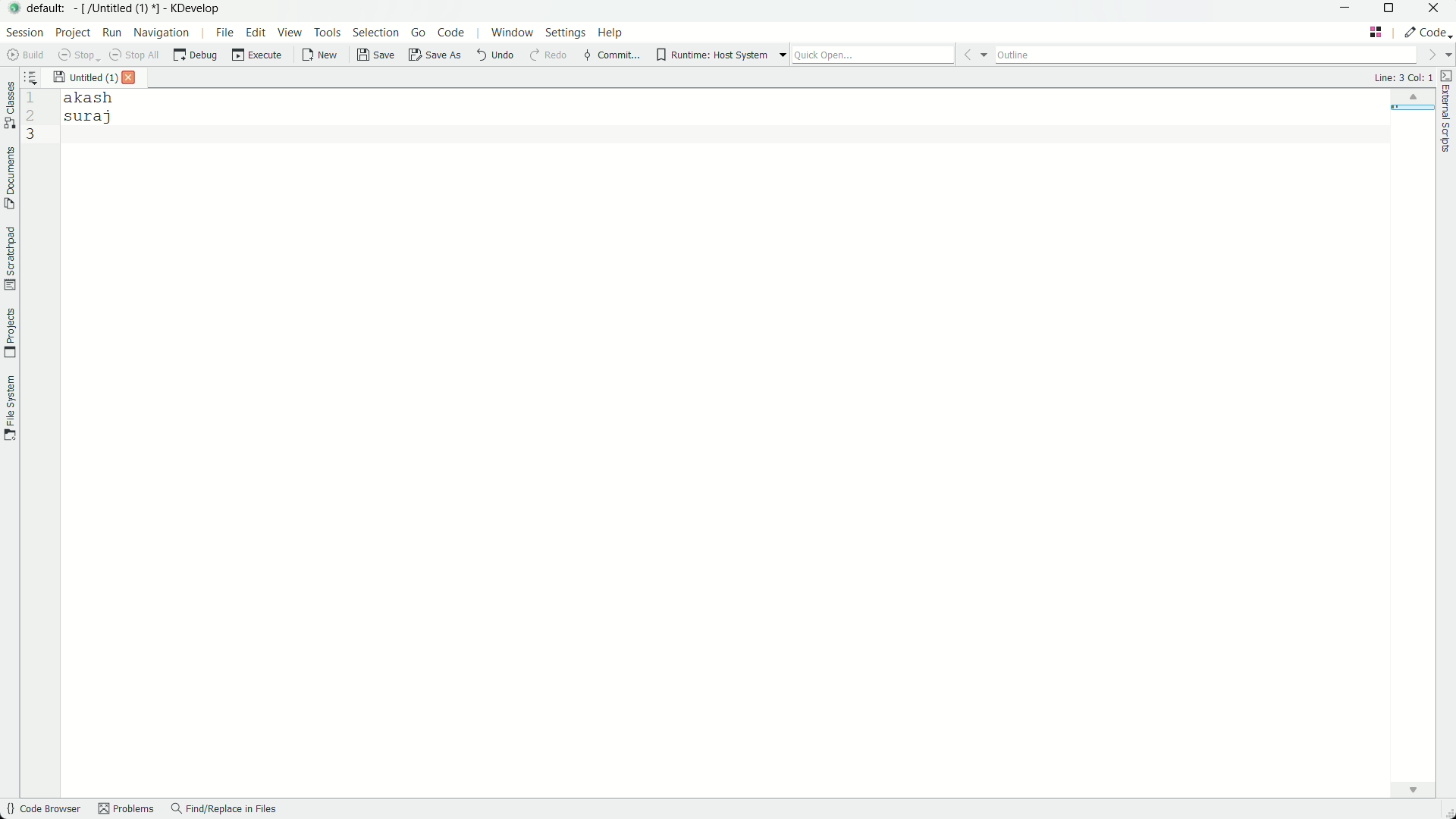  I want to click on session menu, so click(24, 32).